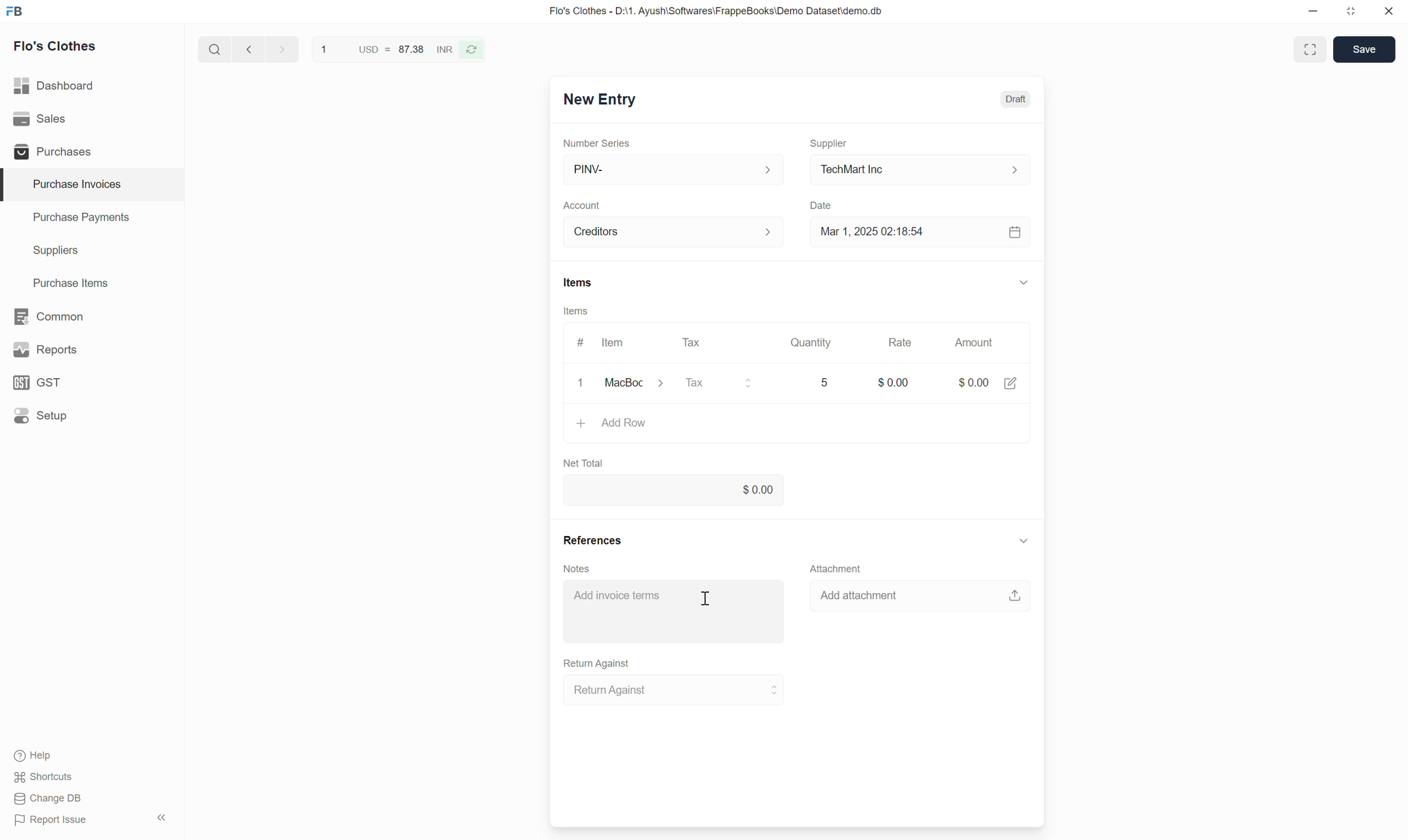  I want to click on Previous, so click(249, 49).